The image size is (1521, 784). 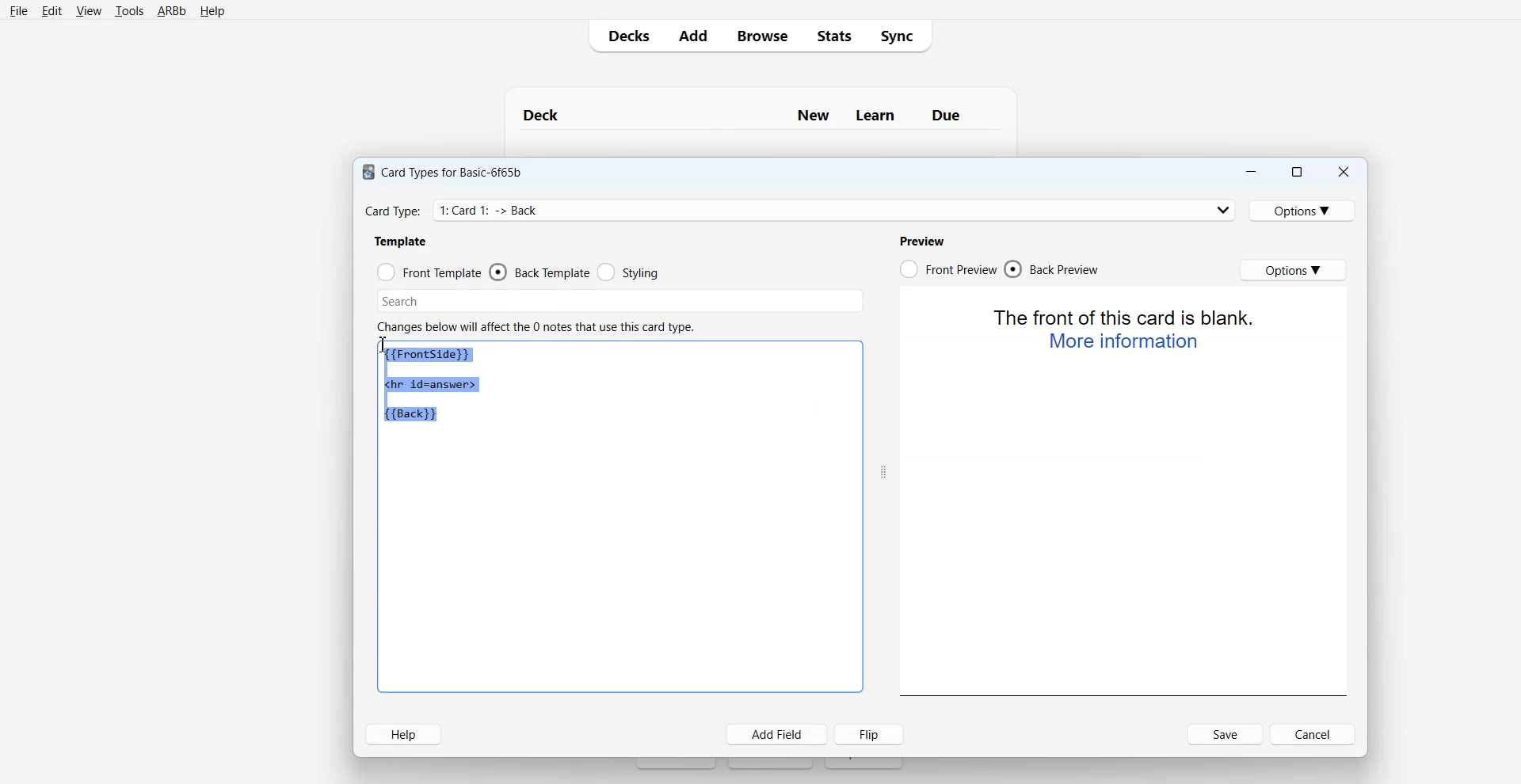 I want to click on Edit, so click(x=51, y=10).